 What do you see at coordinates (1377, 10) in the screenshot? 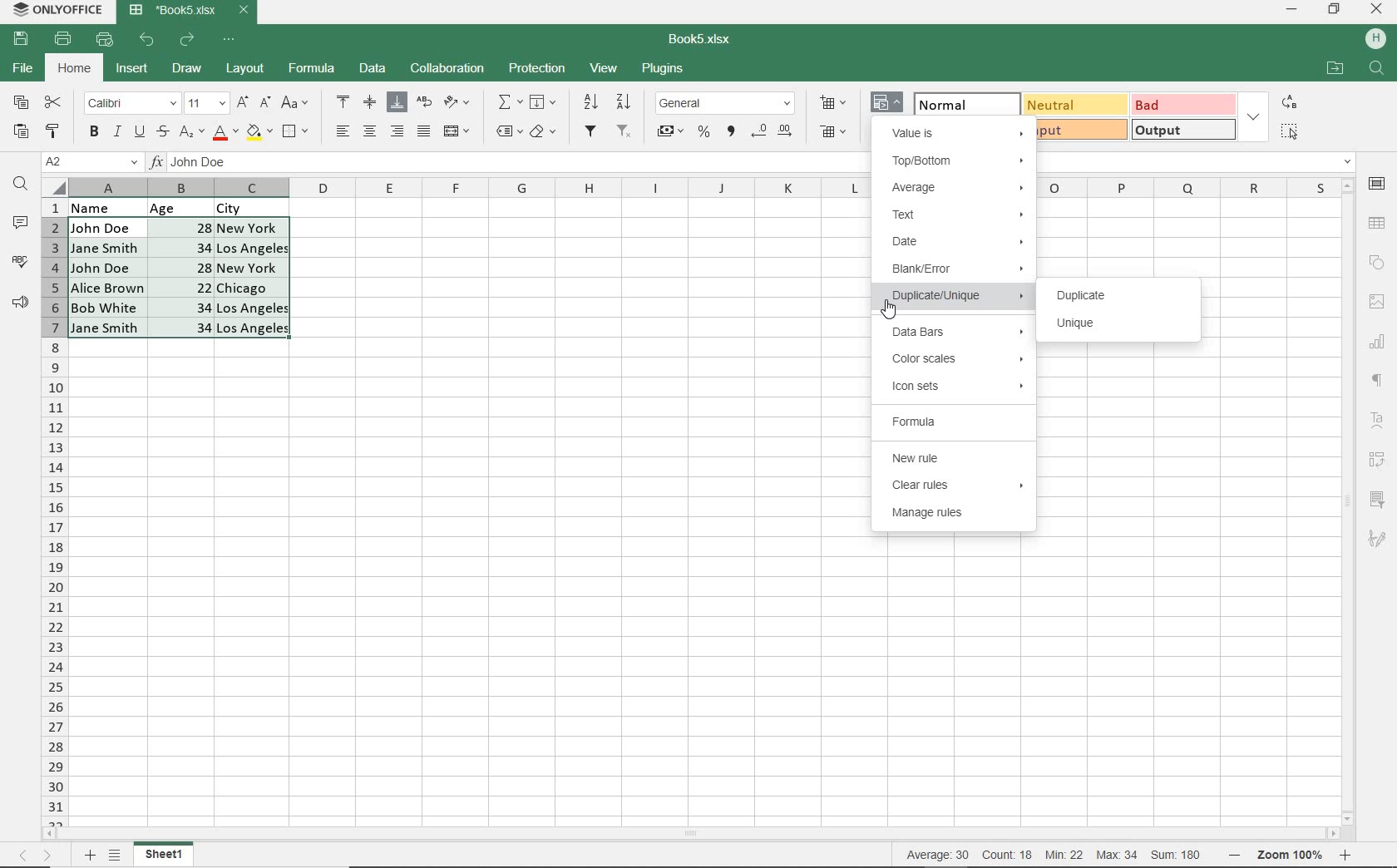
I see `CLOSE` at bounding box center [1377, 10].